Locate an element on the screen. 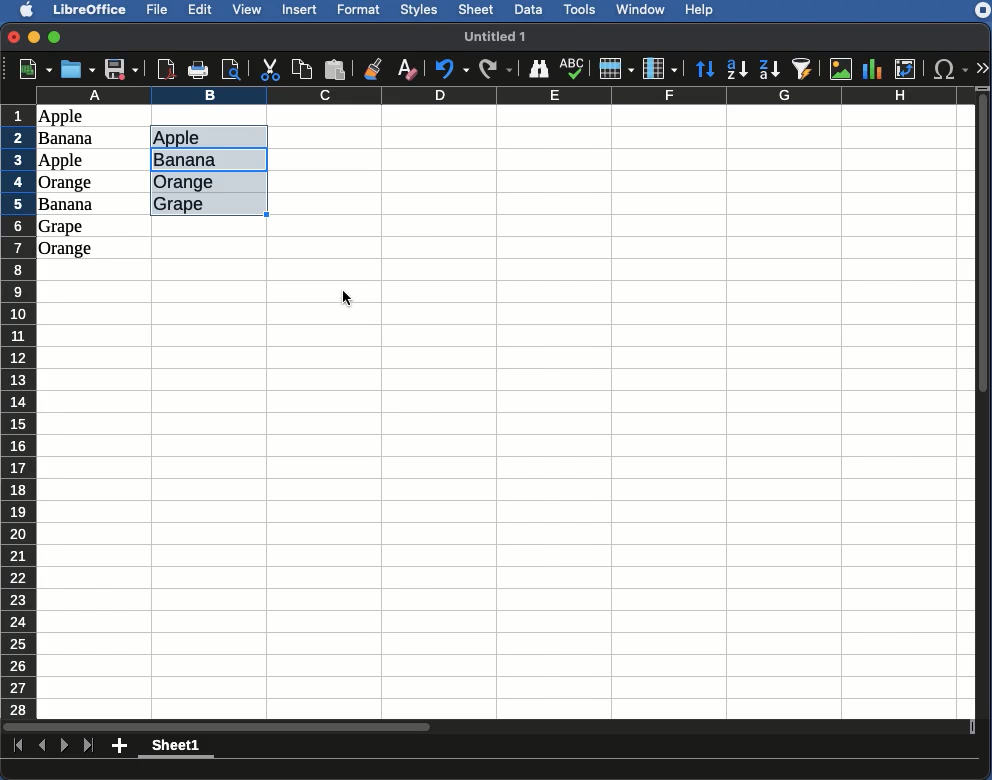  Pivot table is located at coordinates (905, 69).